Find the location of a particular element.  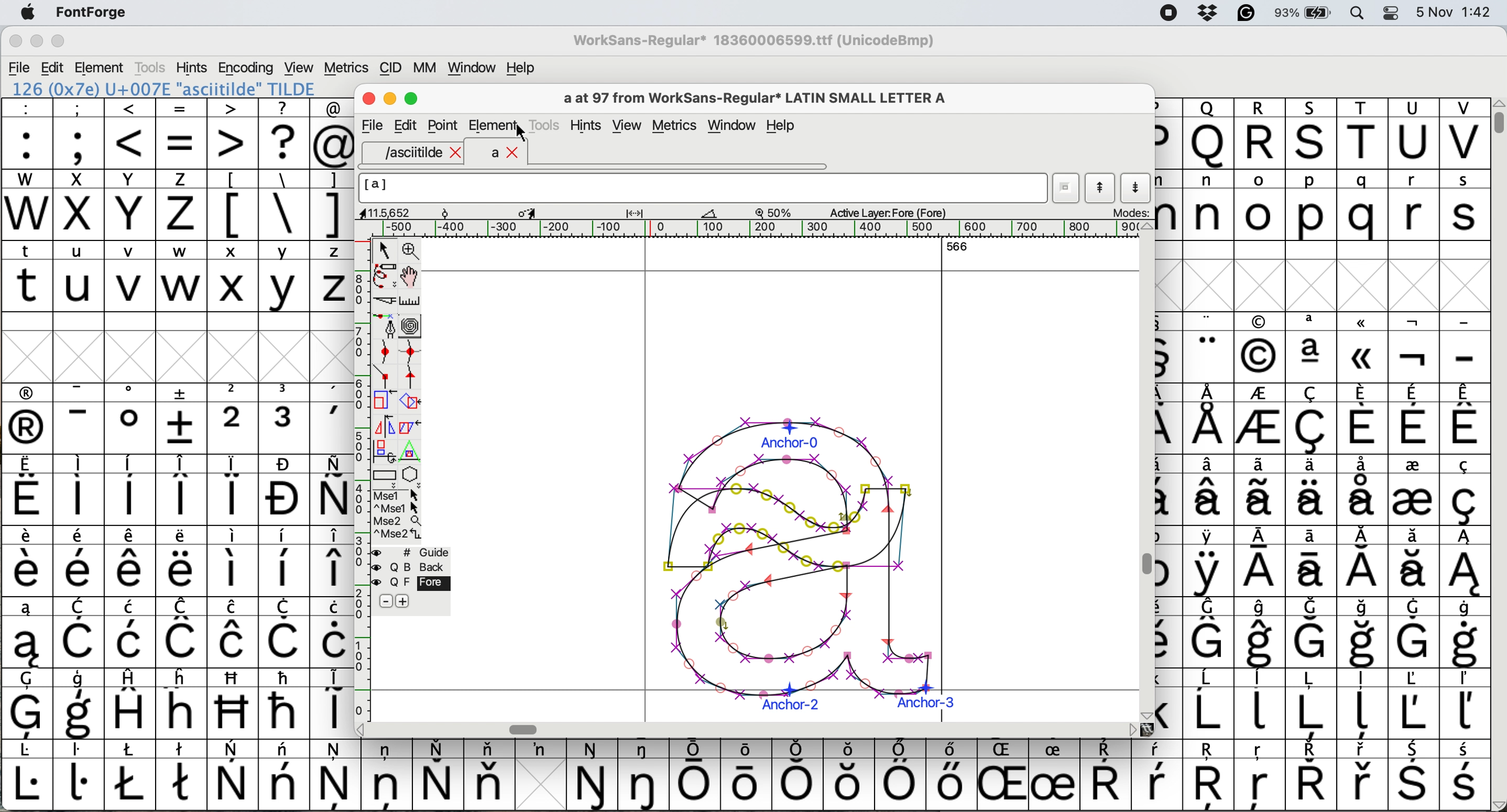

add is located at coordinates (404, 601).